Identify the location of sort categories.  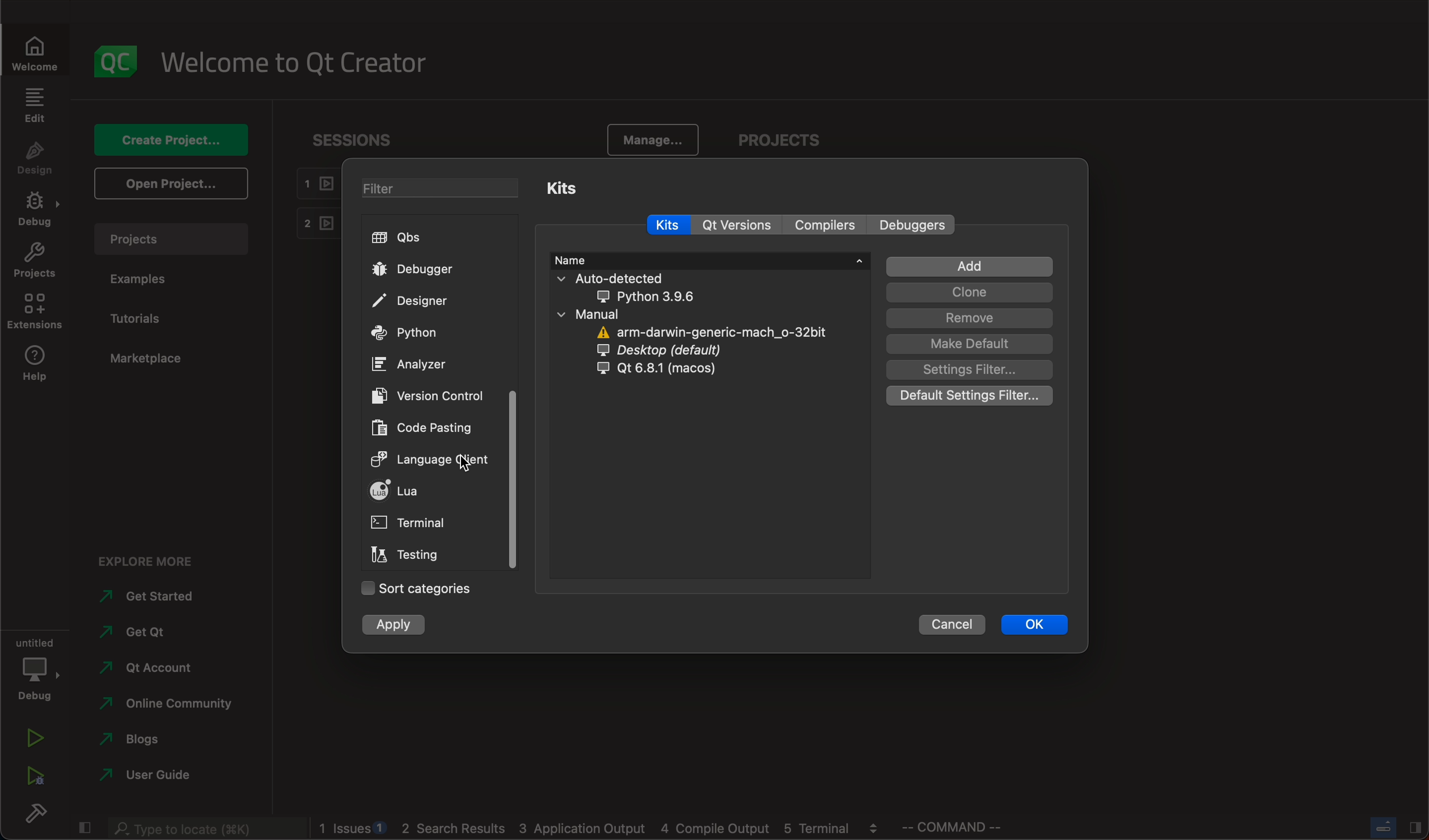
(416, 587).